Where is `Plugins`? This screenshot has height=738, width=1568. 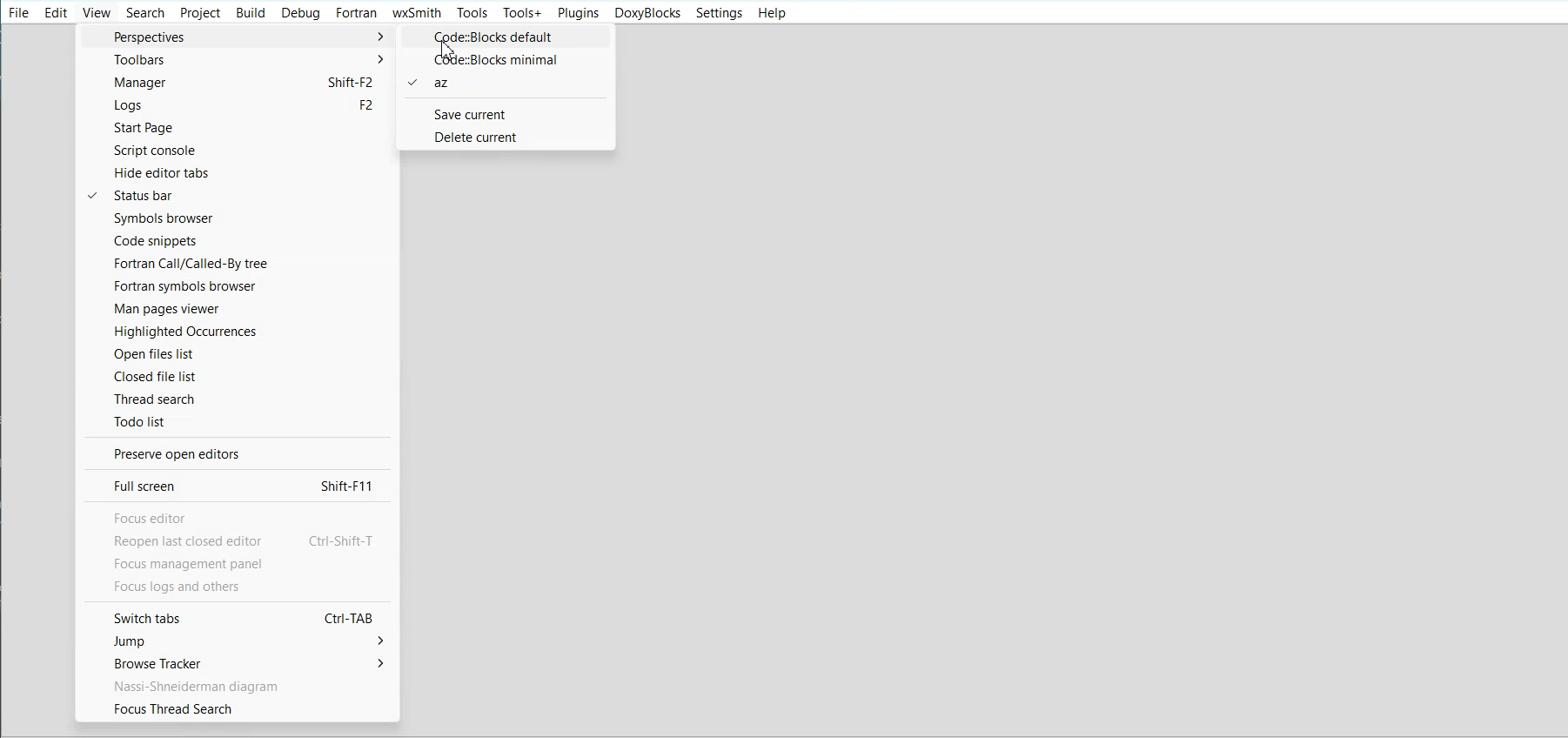 Plugins is located at coordinates (578, 13).